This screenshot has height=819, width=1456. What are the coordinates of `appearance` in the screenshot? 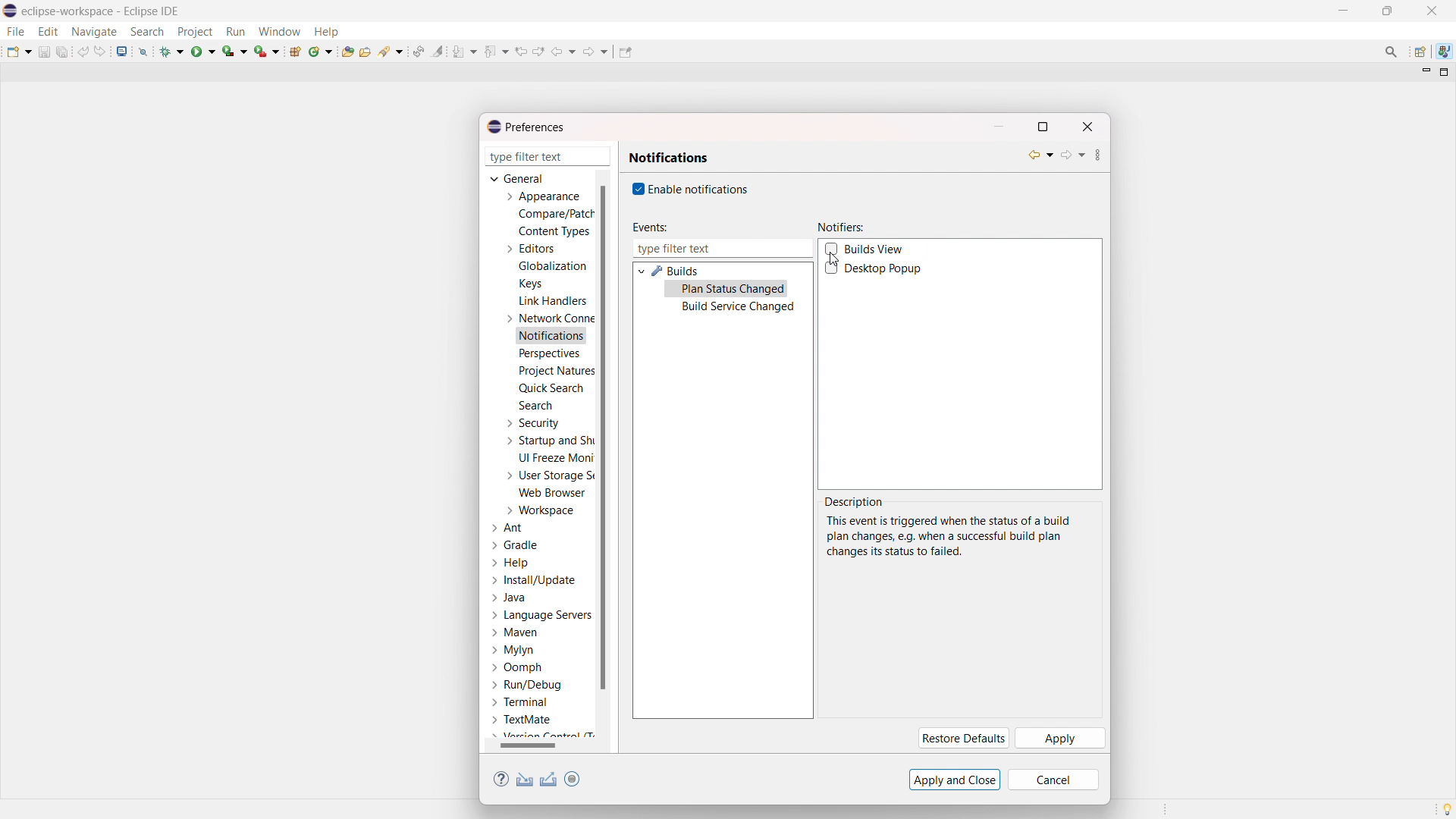 It's located at (541, 196).